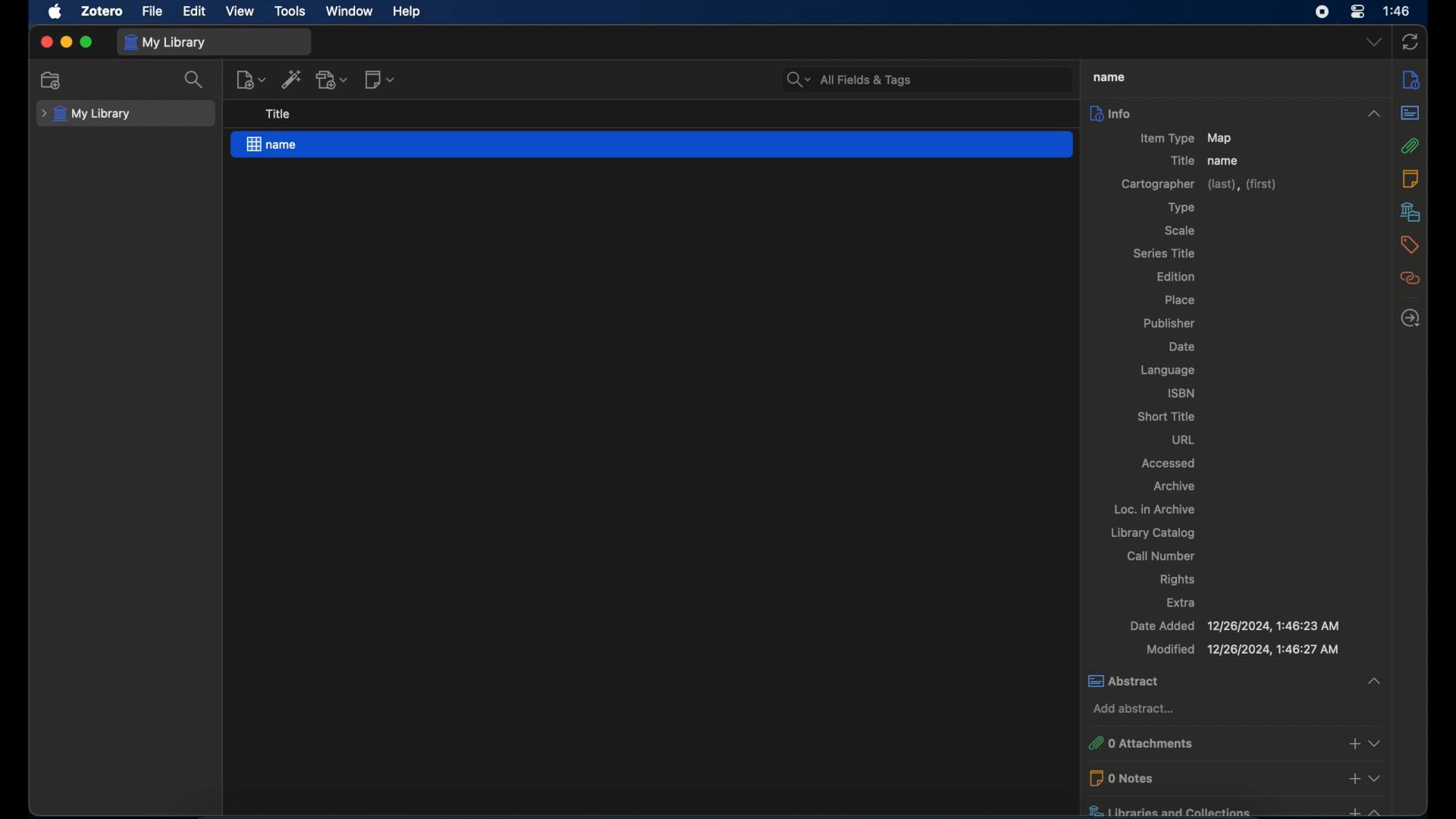 The height and width of the screenshot is (819, 1456). Describe the element at coordinates (251, 80) in the screenshot. I see `new item` at that location.